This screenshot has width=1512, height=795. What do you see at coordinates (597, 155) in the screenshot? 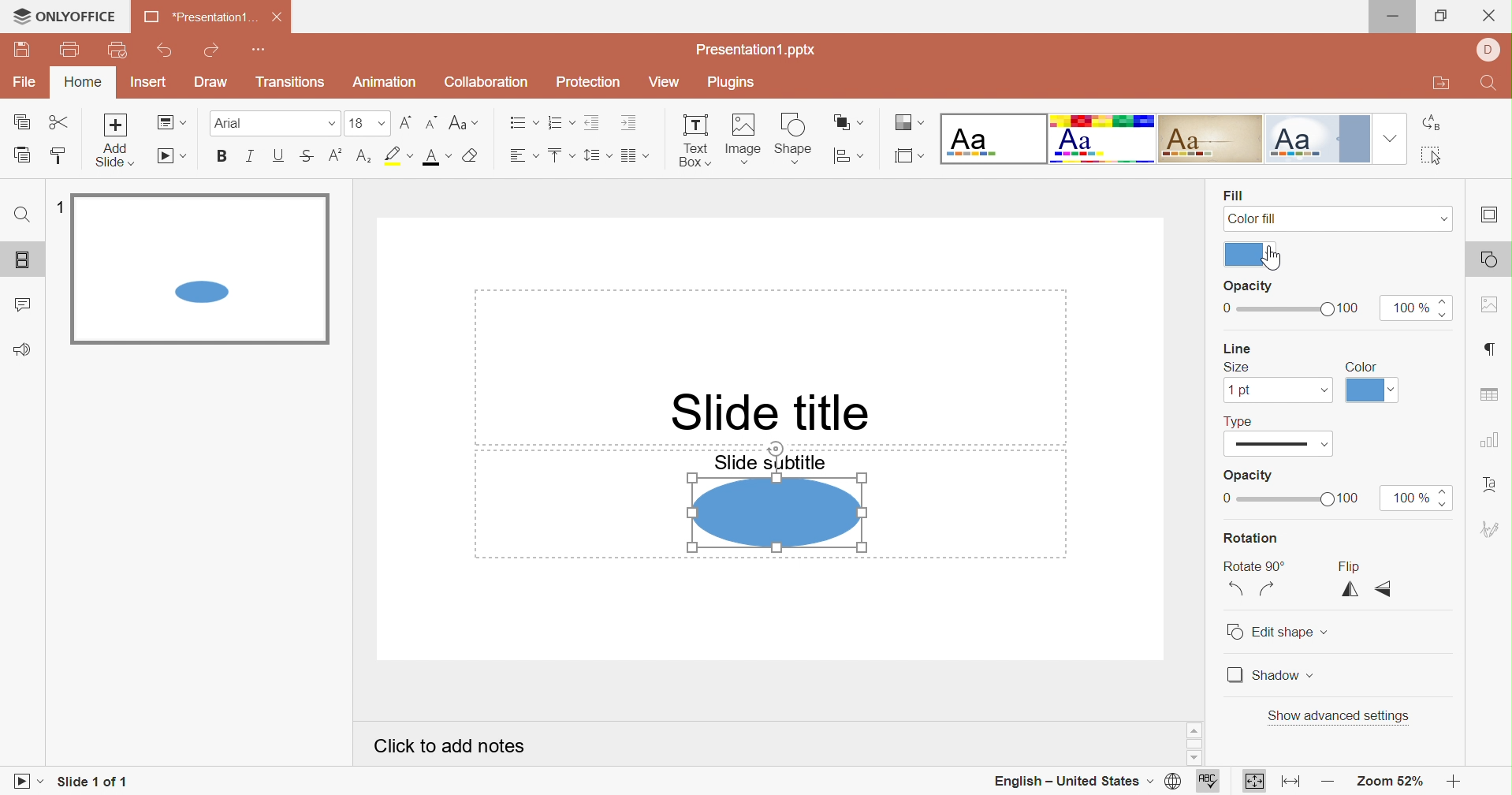
I see `Line spacing` at bounding box center [597, 155].